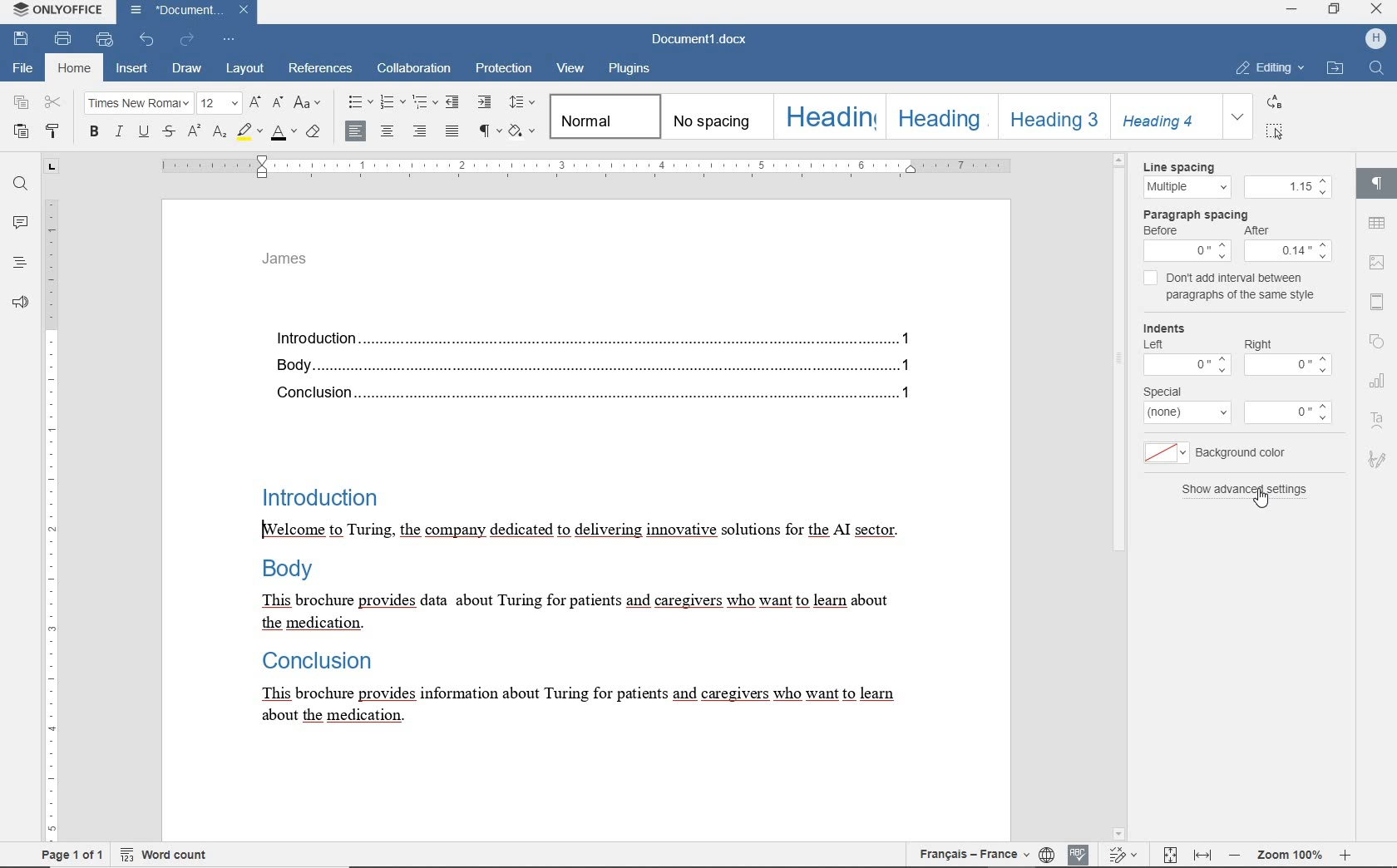 The height and width of the screenshot is (868, 1397). What do you see at coordinates (297, 263) in the screenshot?
I see `James` at bounding box center [297, 263].